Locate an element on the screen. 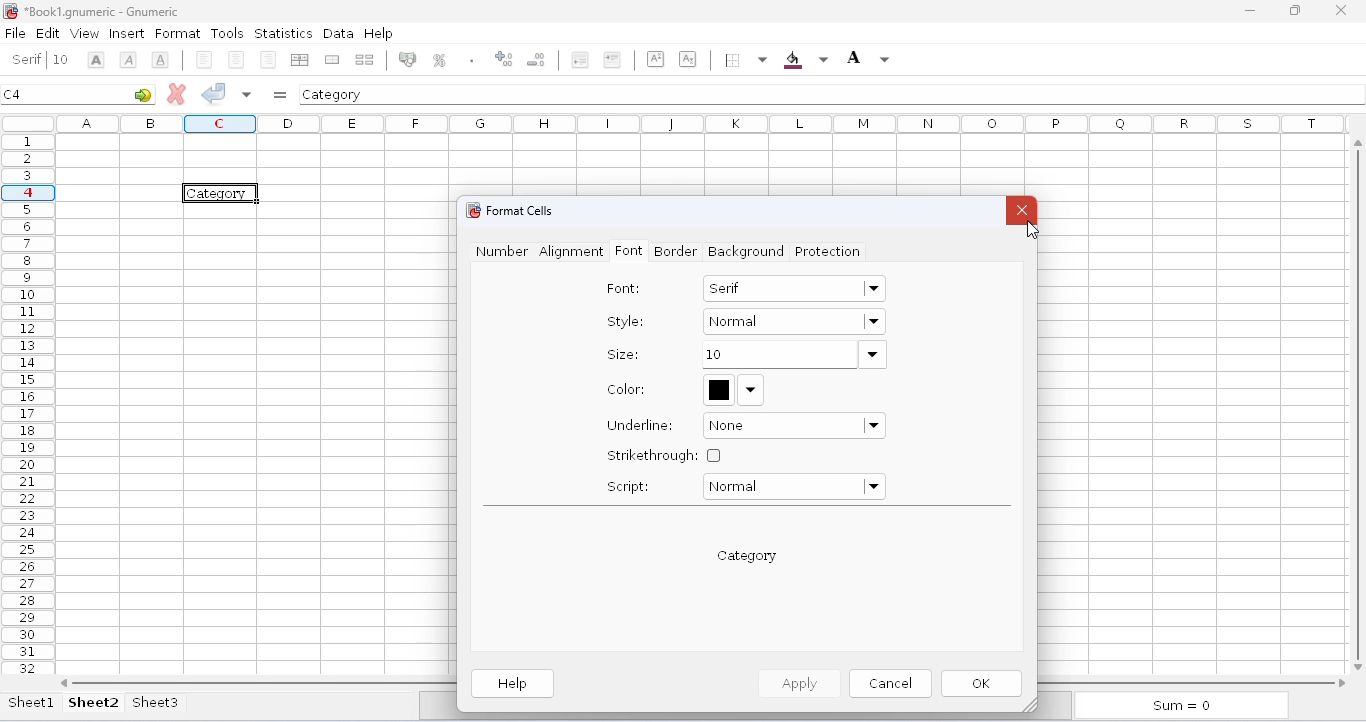 This screenshot has height=722, width=1366. background is located at coordinates (846, 60).